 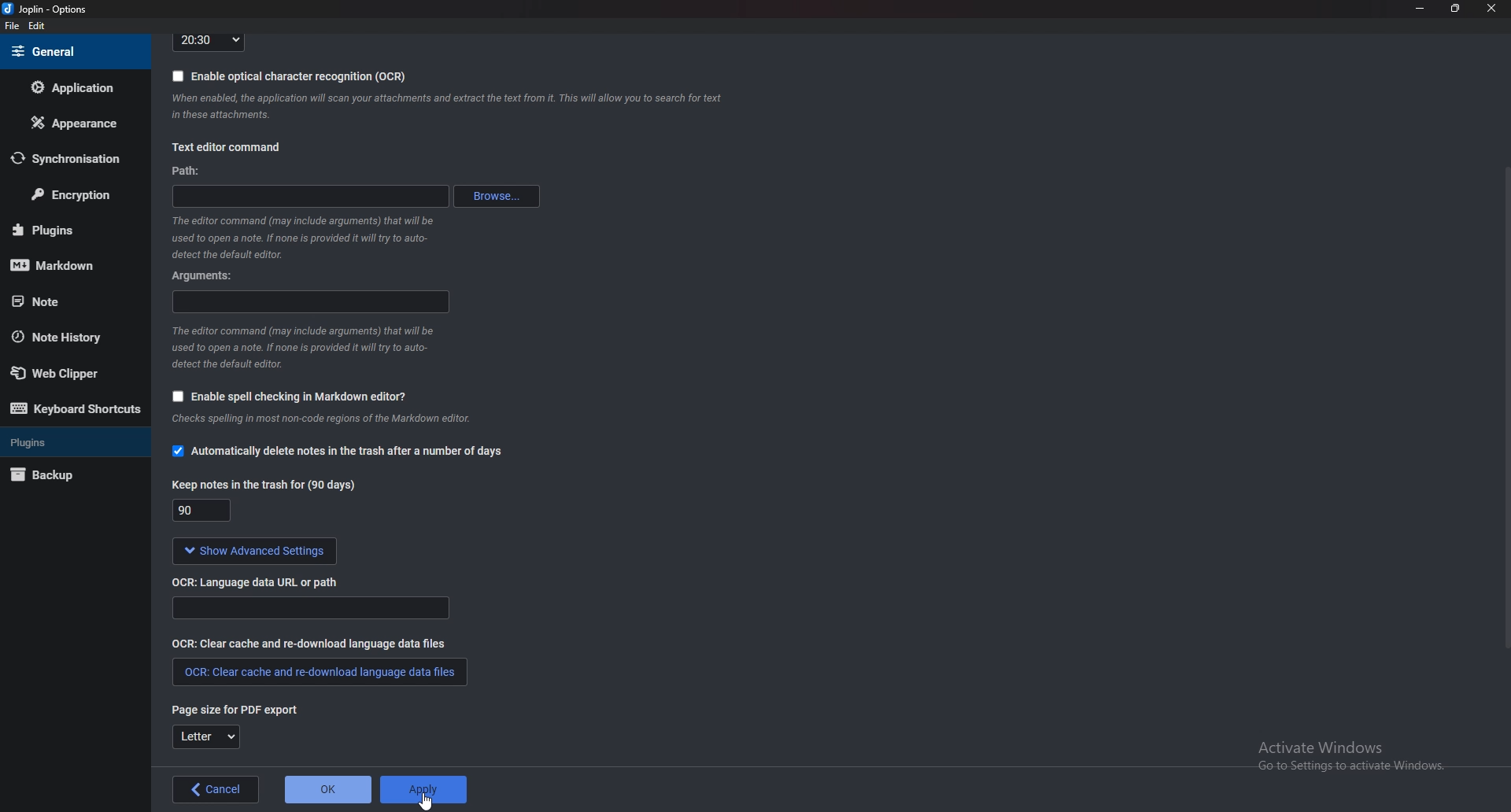 What do you see at coordinates (65, 338) in the screenshot?
I see `Note history` at bounding box center [65, 338].